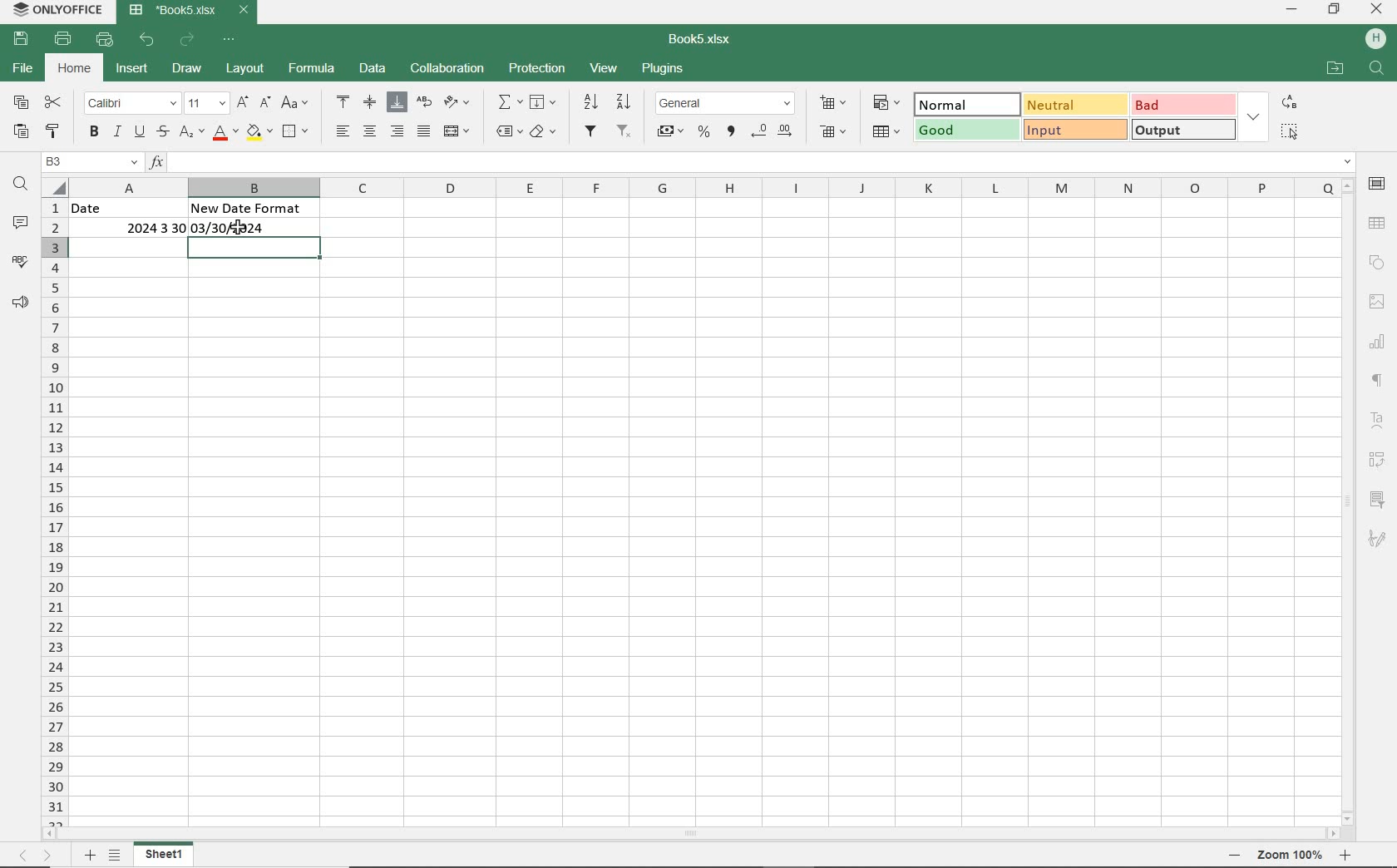  I want to click on REDO, so click(188, 39).